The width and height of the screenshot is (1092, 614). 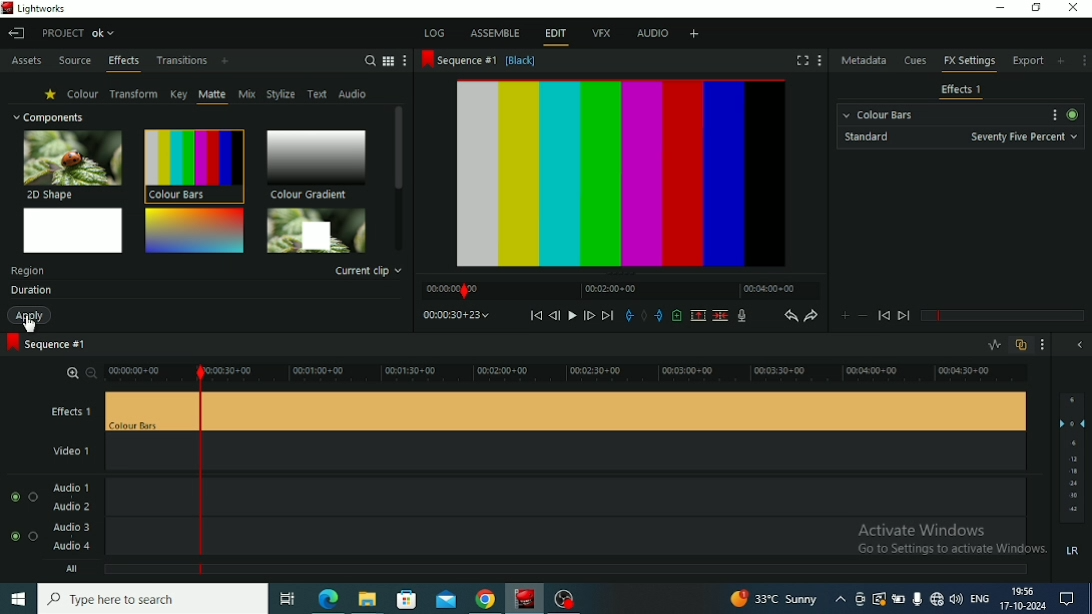 I want to click on Delete, so click(x=720, y=315).